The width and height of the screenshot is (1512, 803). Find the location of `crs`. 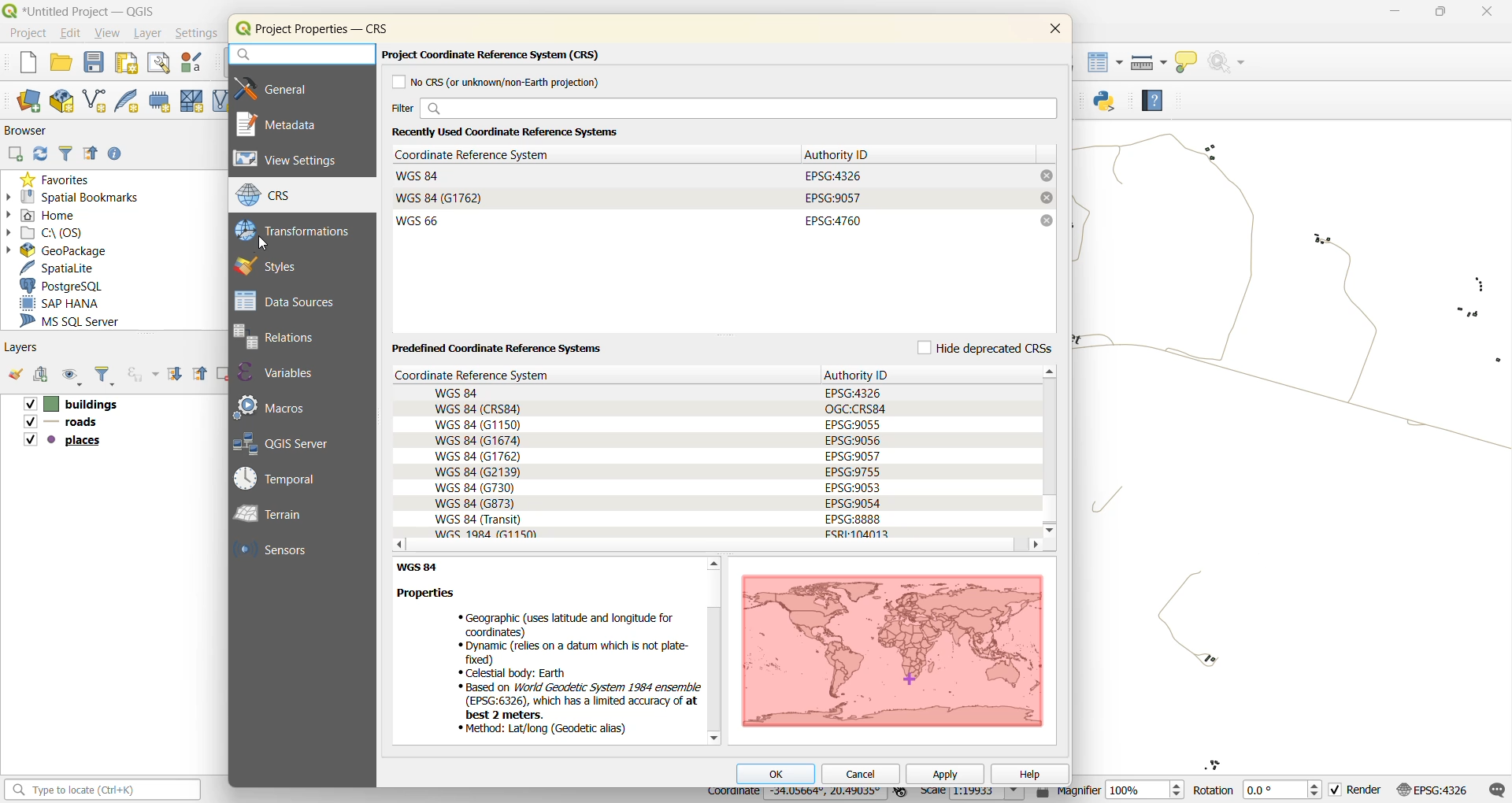

crs is located at coordinates (497, 375).